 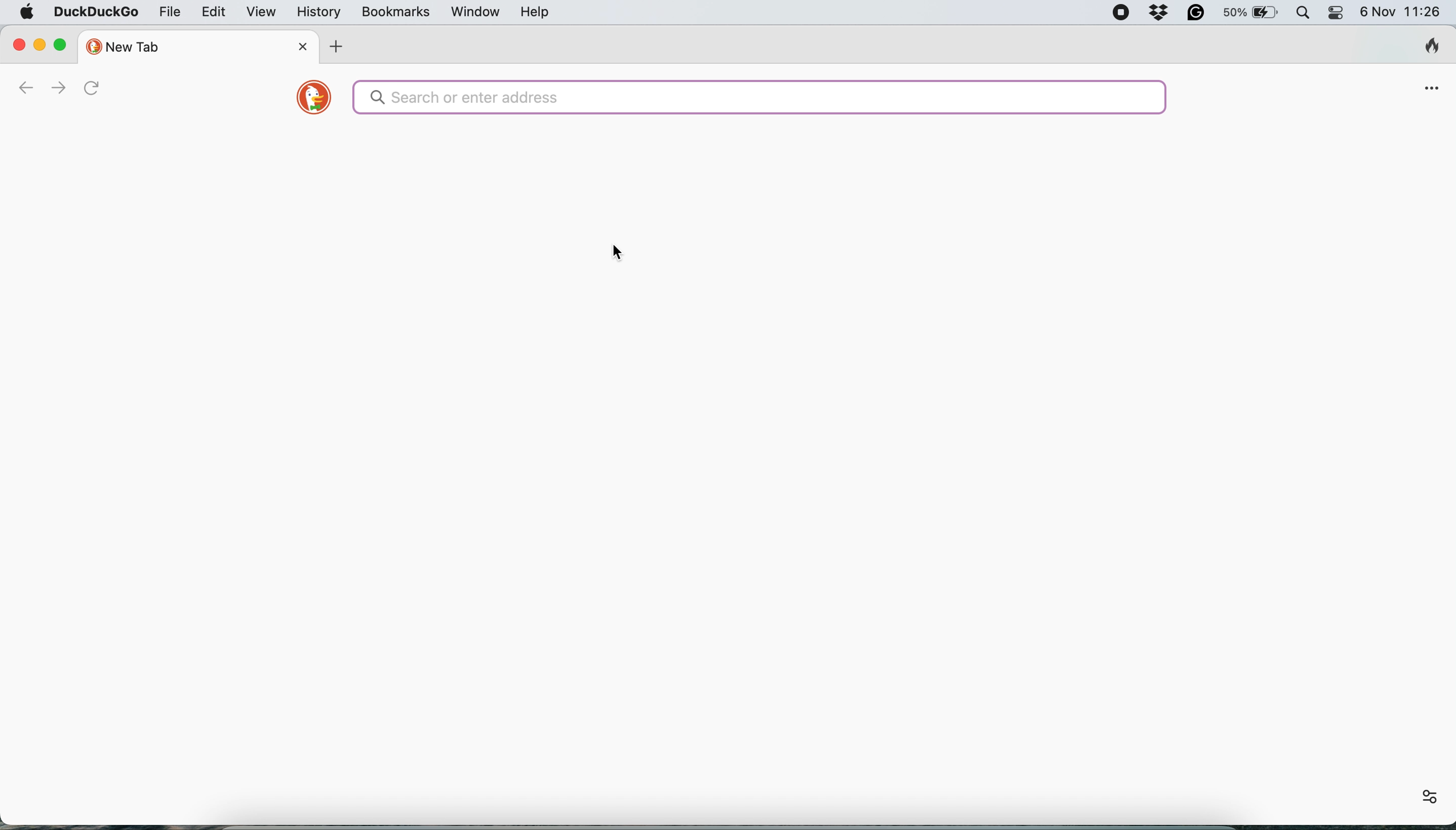 What do you see at coordinates (317, 98) in the screenshot?
I see `duckduckgo logo` at bounding box center [317, 98].